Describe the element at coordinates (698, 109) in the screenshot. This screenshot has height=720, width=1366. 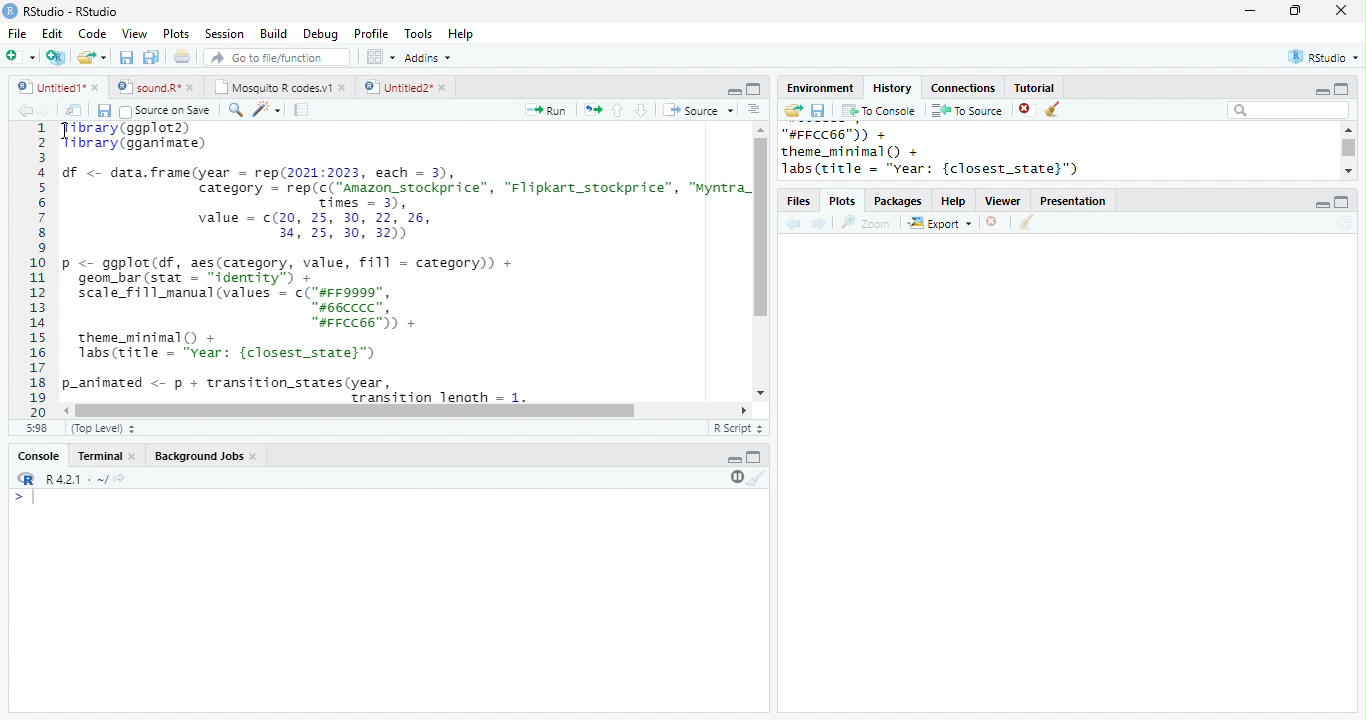
I see `Source` at that location.